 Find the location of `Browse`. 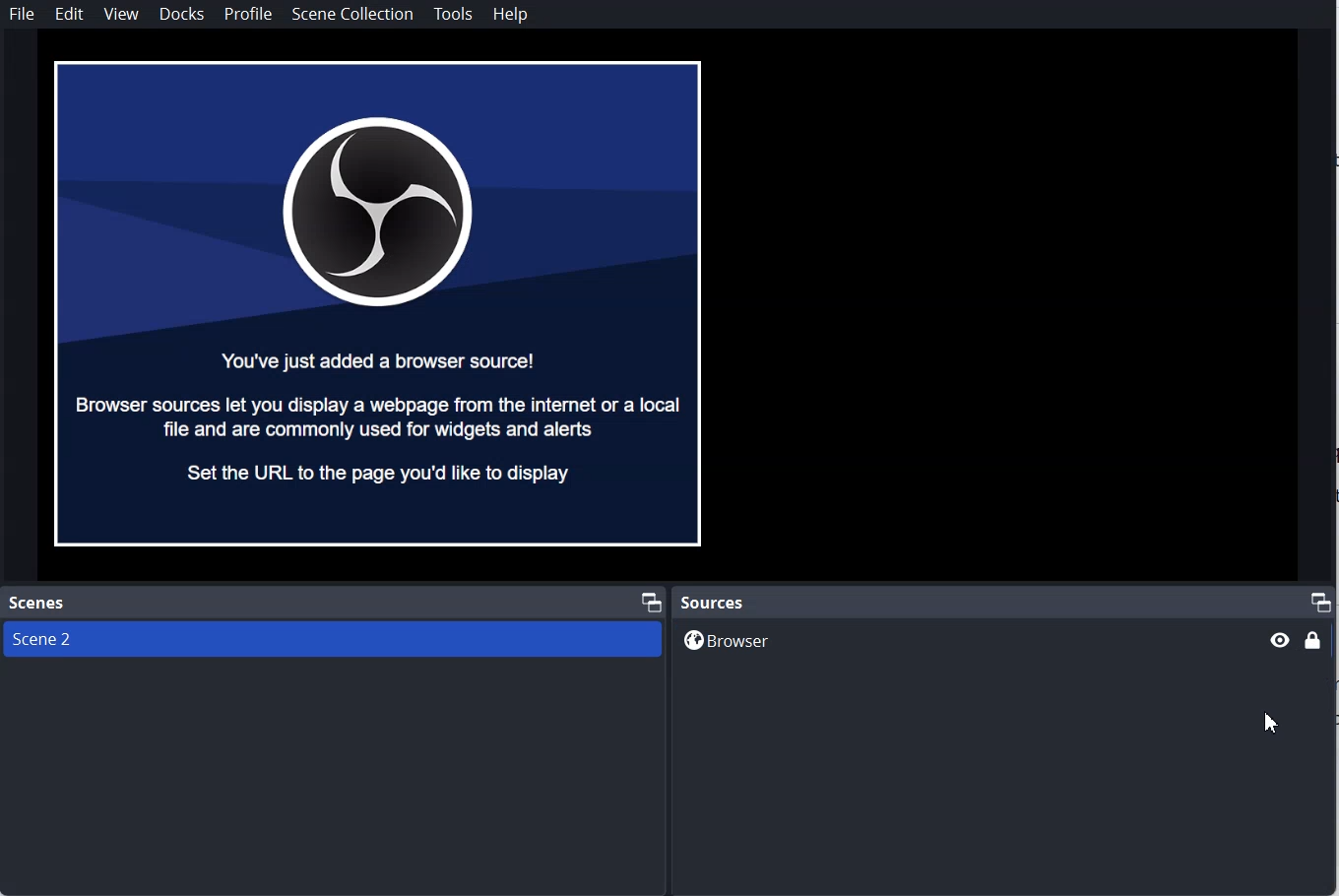

Browse is located at coordinates (963, 640).